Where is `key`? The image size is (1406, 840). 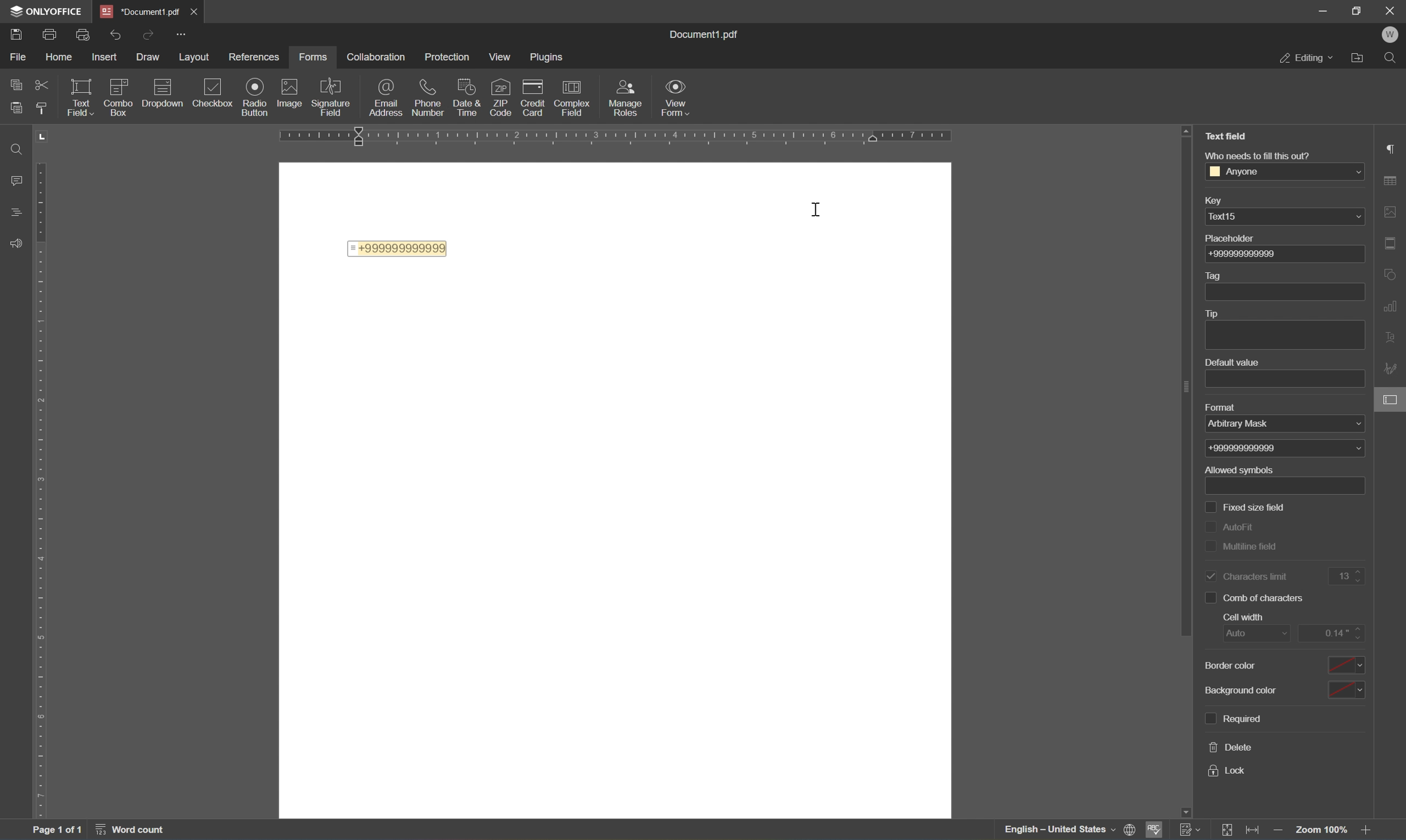
key is located at coordinates (1221, 200).